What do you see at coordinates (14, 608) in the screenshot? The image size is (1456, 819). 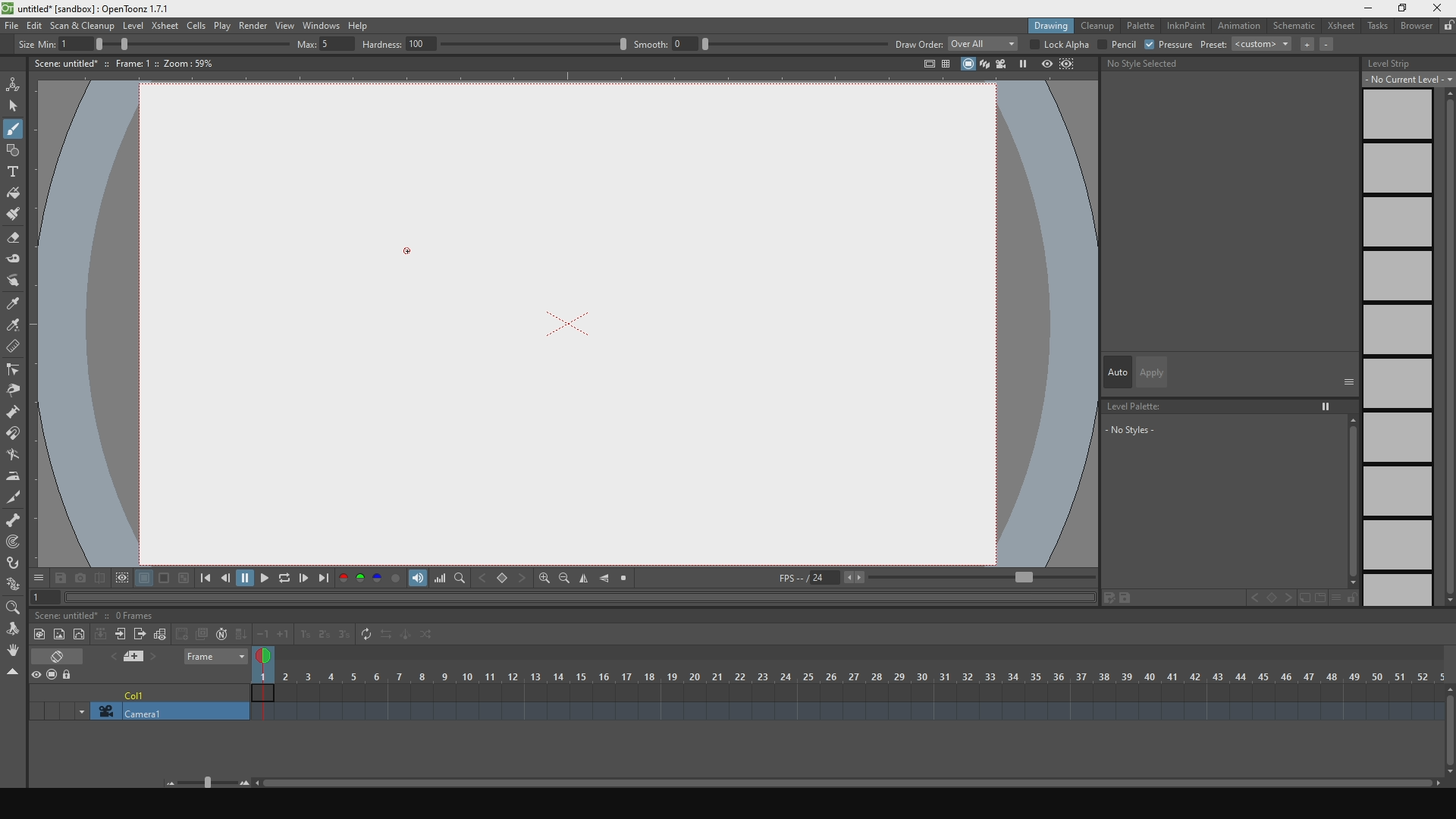 I see `zoom` at bounding box center [14, 608].